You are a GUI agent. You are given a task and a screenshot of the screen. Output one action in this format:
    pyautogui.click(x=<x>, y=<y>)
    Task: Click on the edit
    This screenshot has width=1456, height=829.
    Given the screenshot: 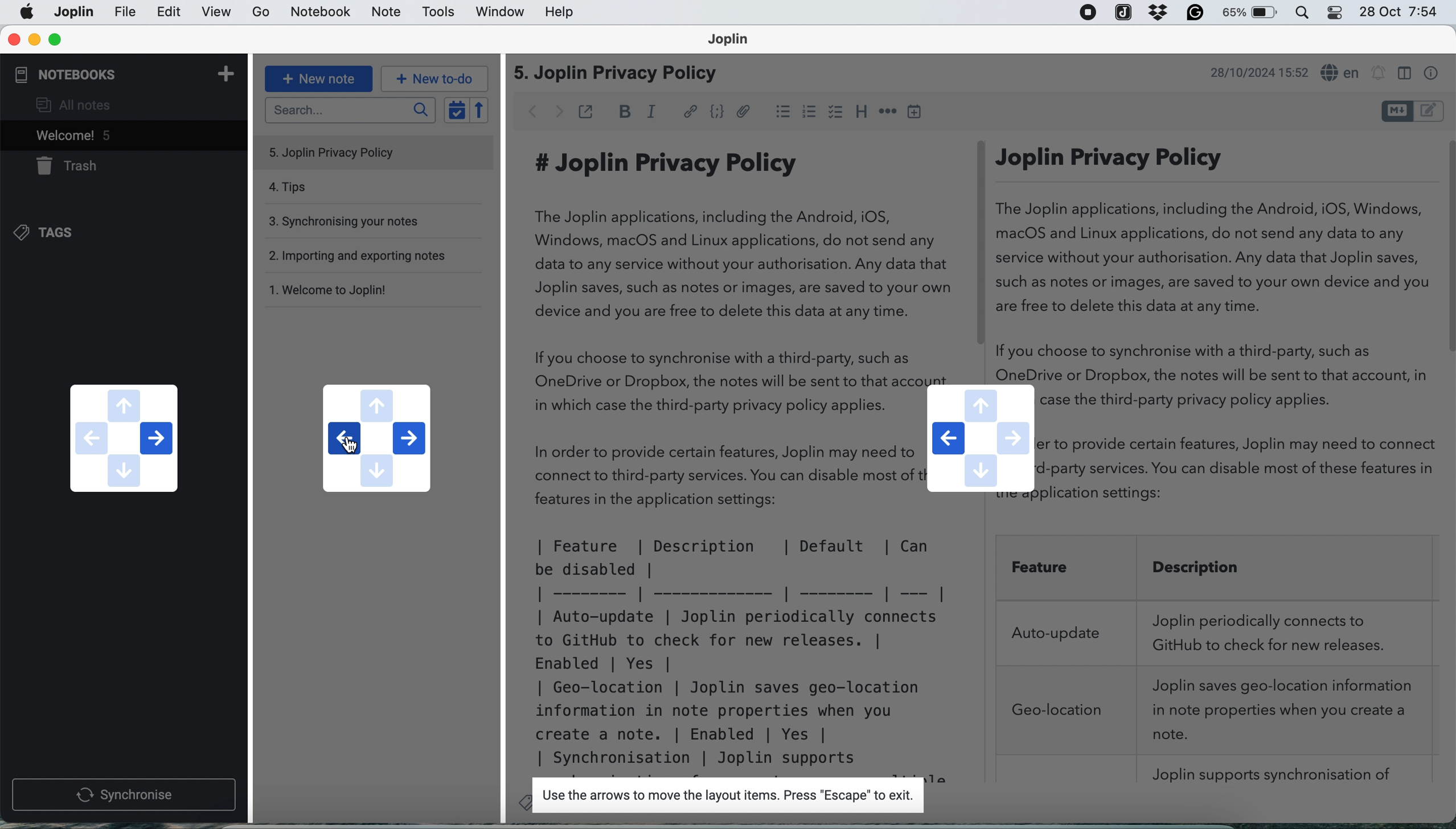 What is the action you would take?
    pyautogui.click(x=169, y=13)
    